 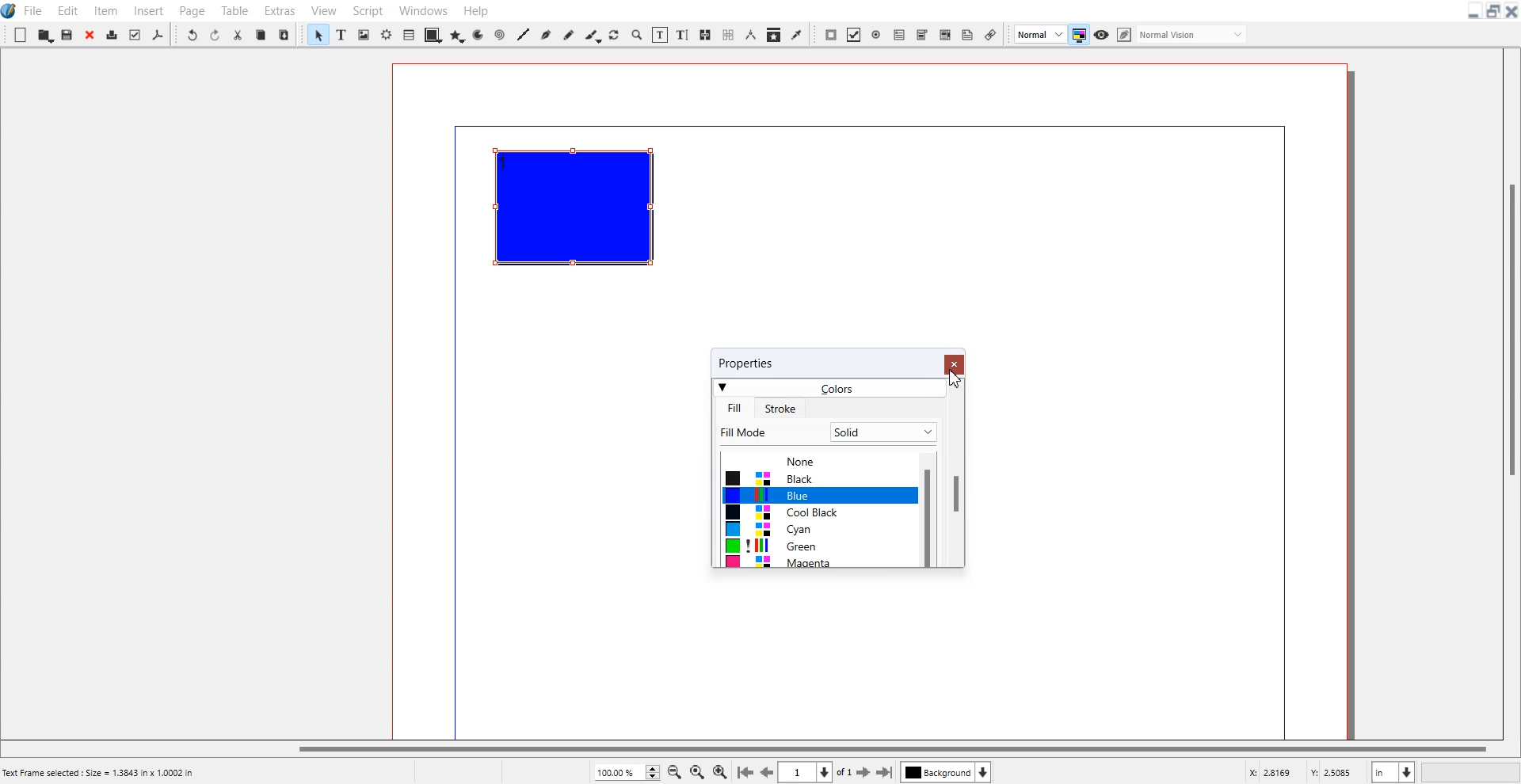 I want to click on Close, so click(x=1511, y=11).